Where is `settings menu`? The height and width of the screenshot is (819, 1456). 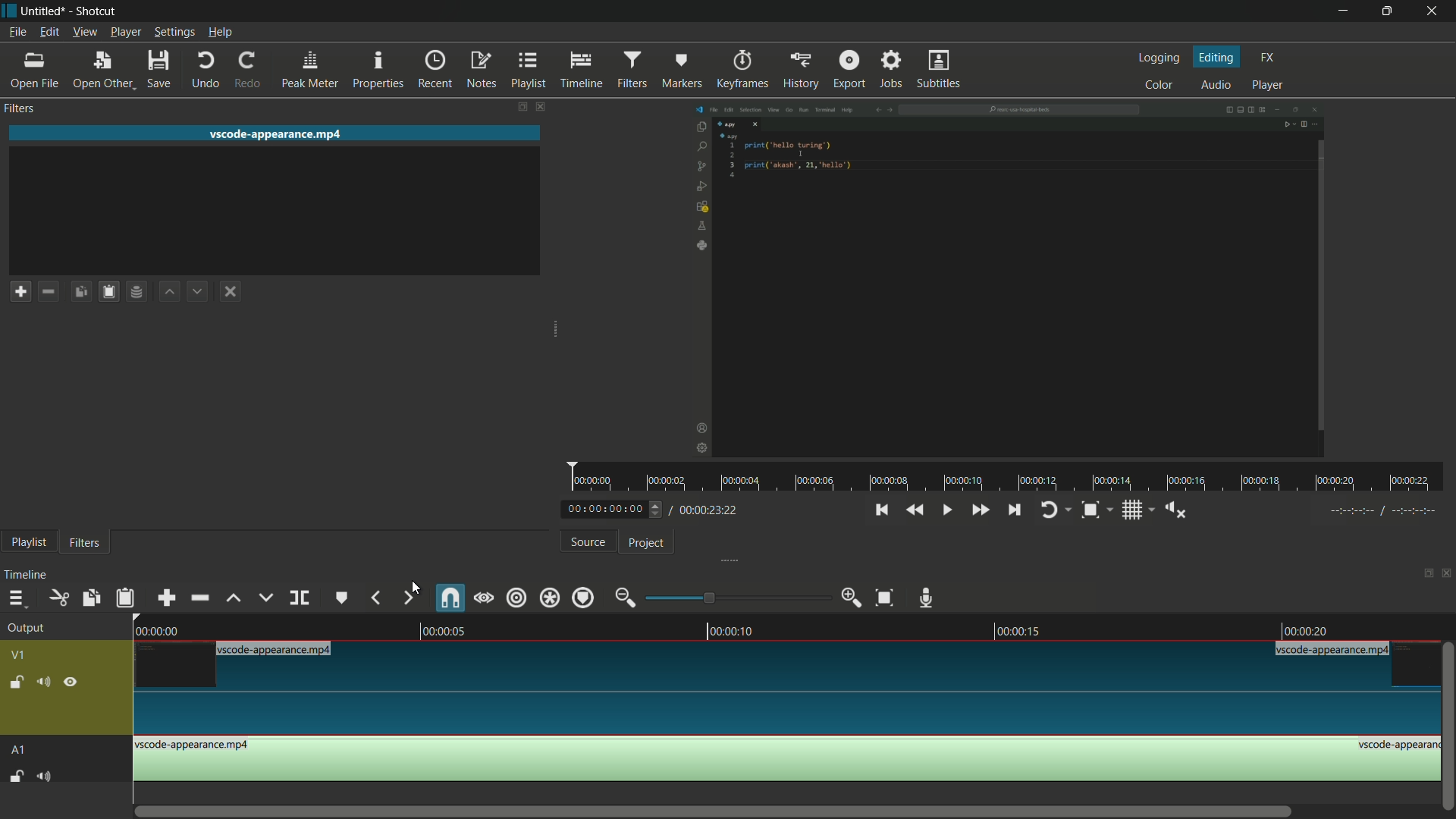
settings menu is located at coordinates (174, 32).